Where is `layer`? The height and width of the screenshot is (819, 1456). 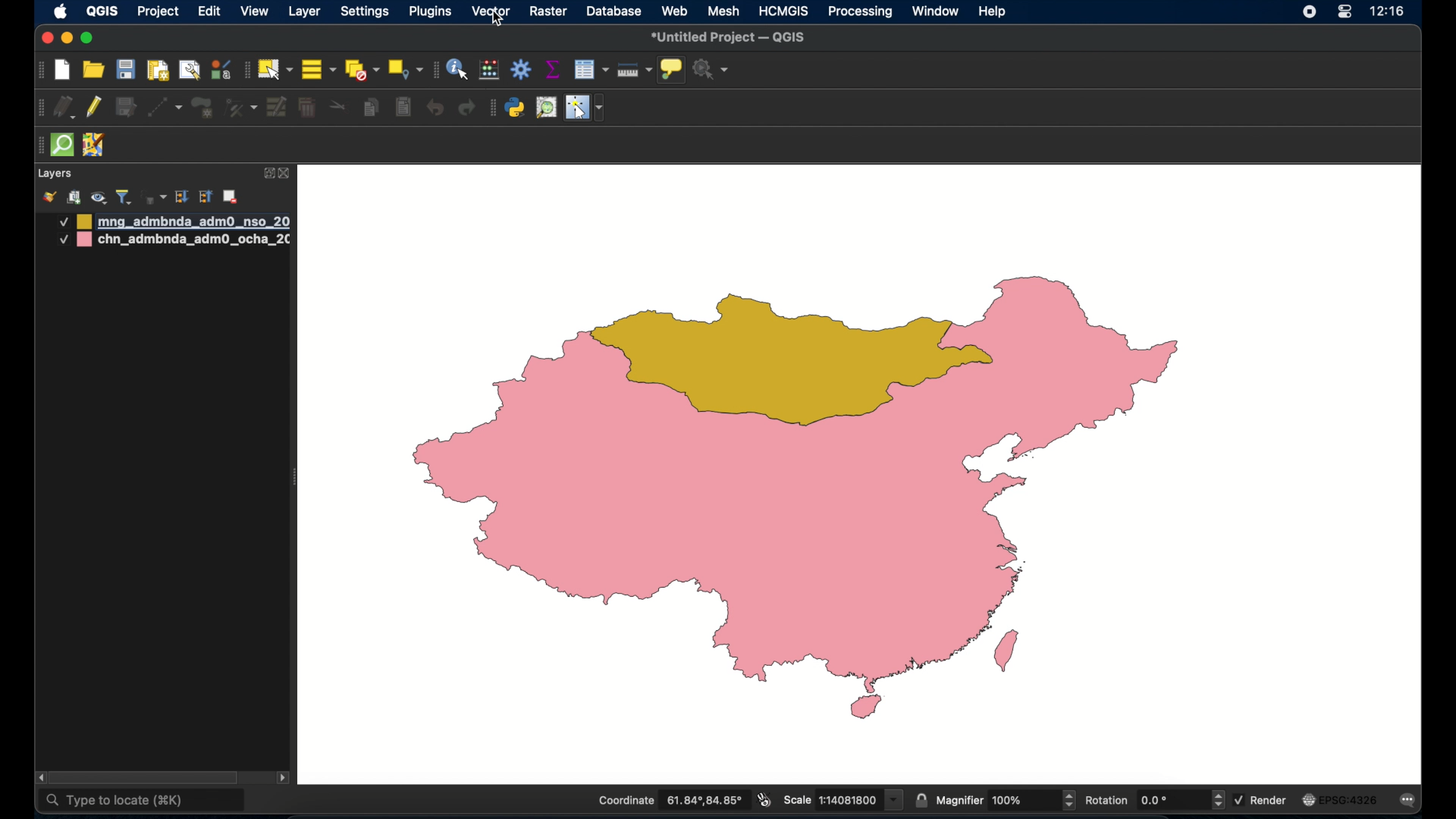
layer is located at coordinates (306, 11).